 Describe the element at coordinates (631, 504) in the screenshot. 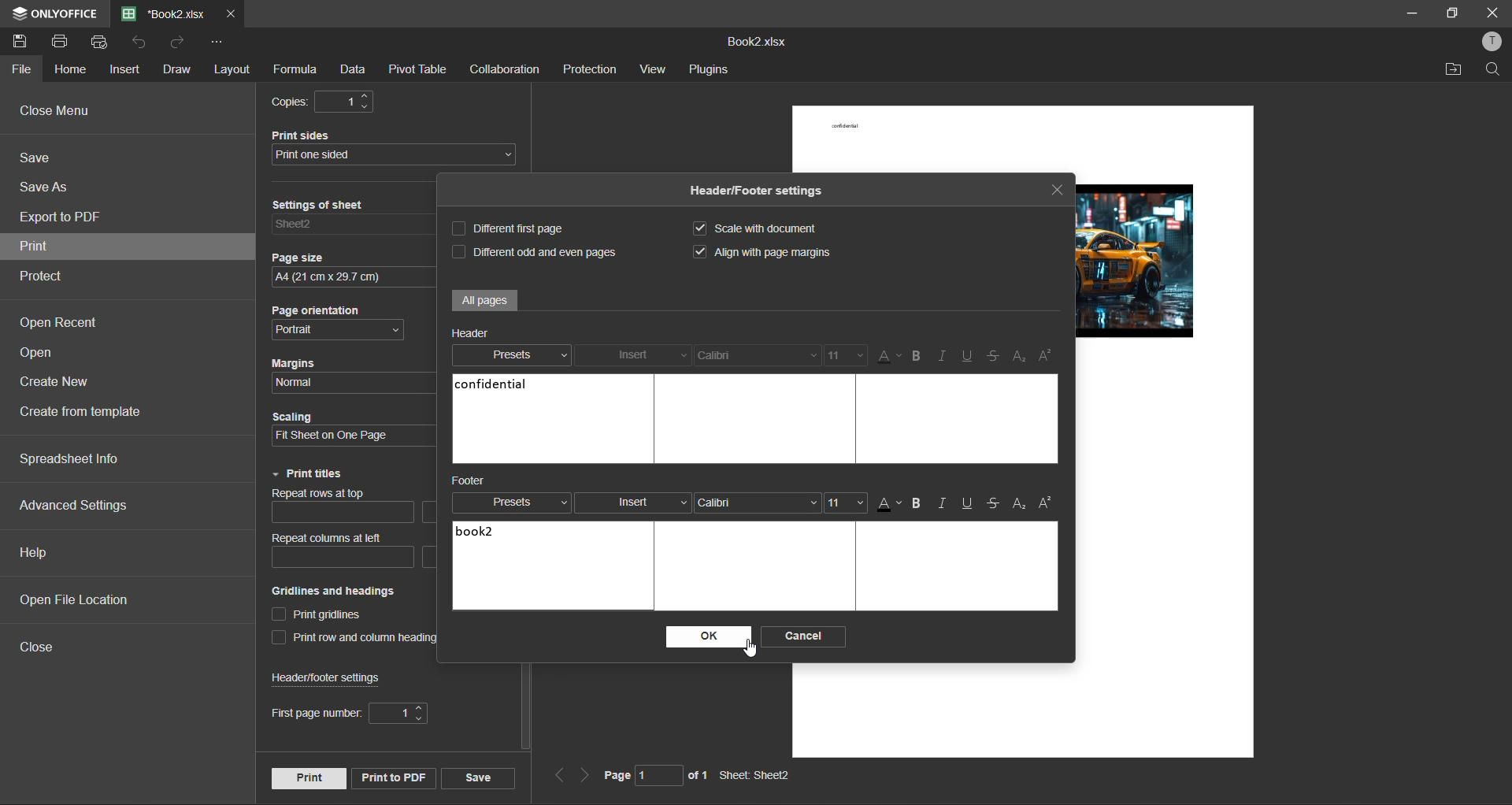

I see `insert` at that location.